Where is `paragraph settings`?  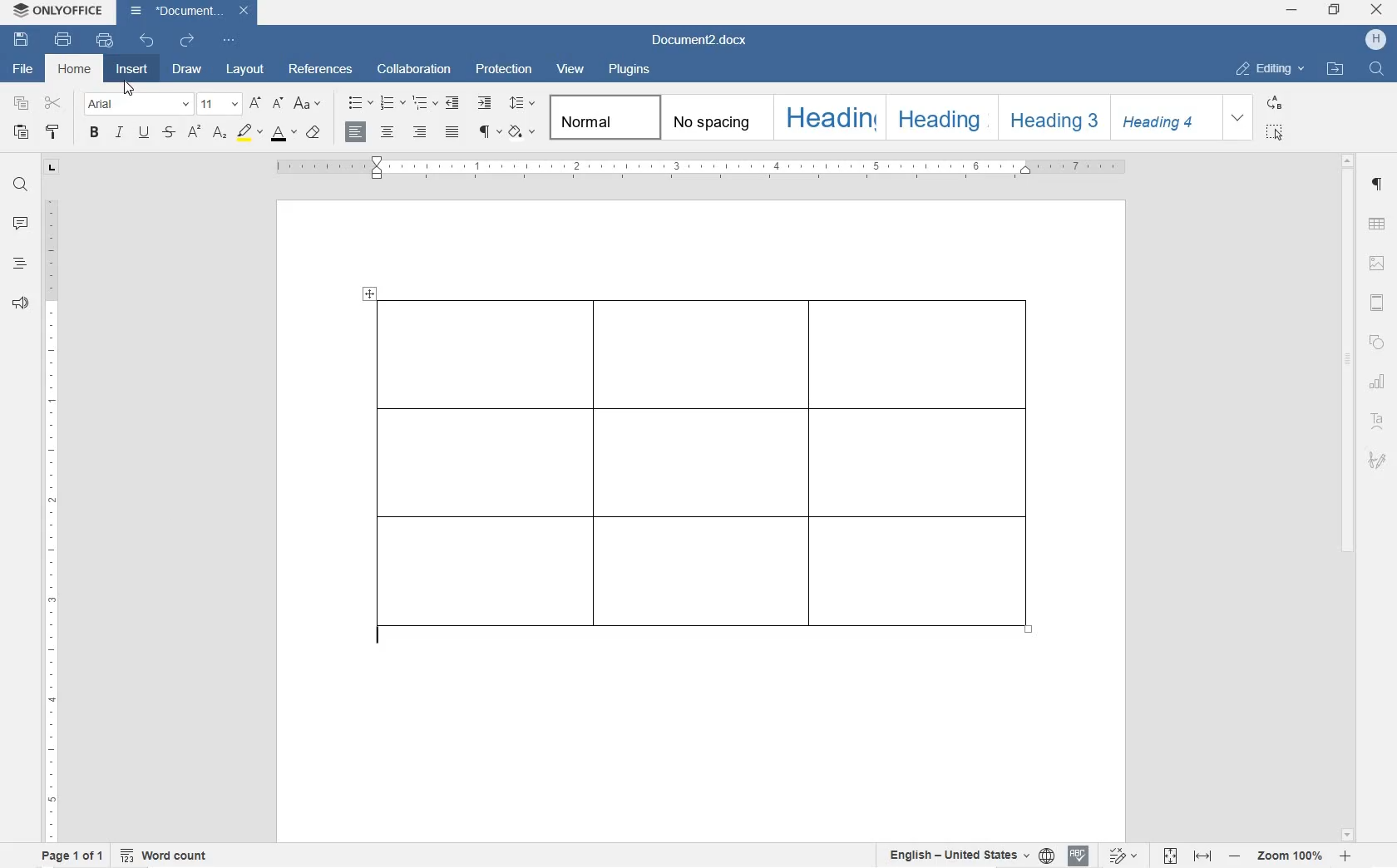 paragraph settings is located at coordinates (1378, 185).